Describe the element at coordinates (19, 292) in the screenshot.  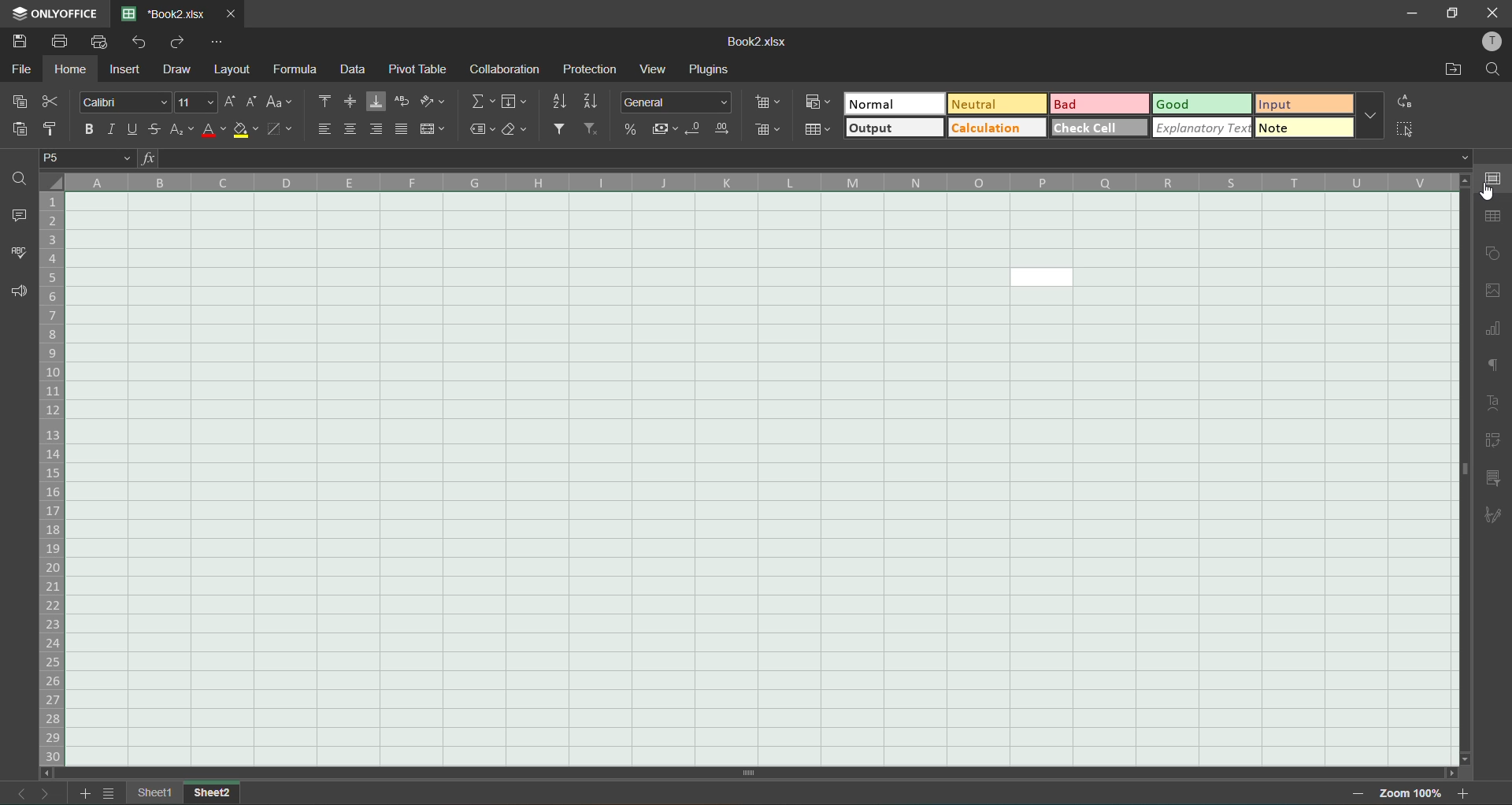
I see `feedback` at that location.